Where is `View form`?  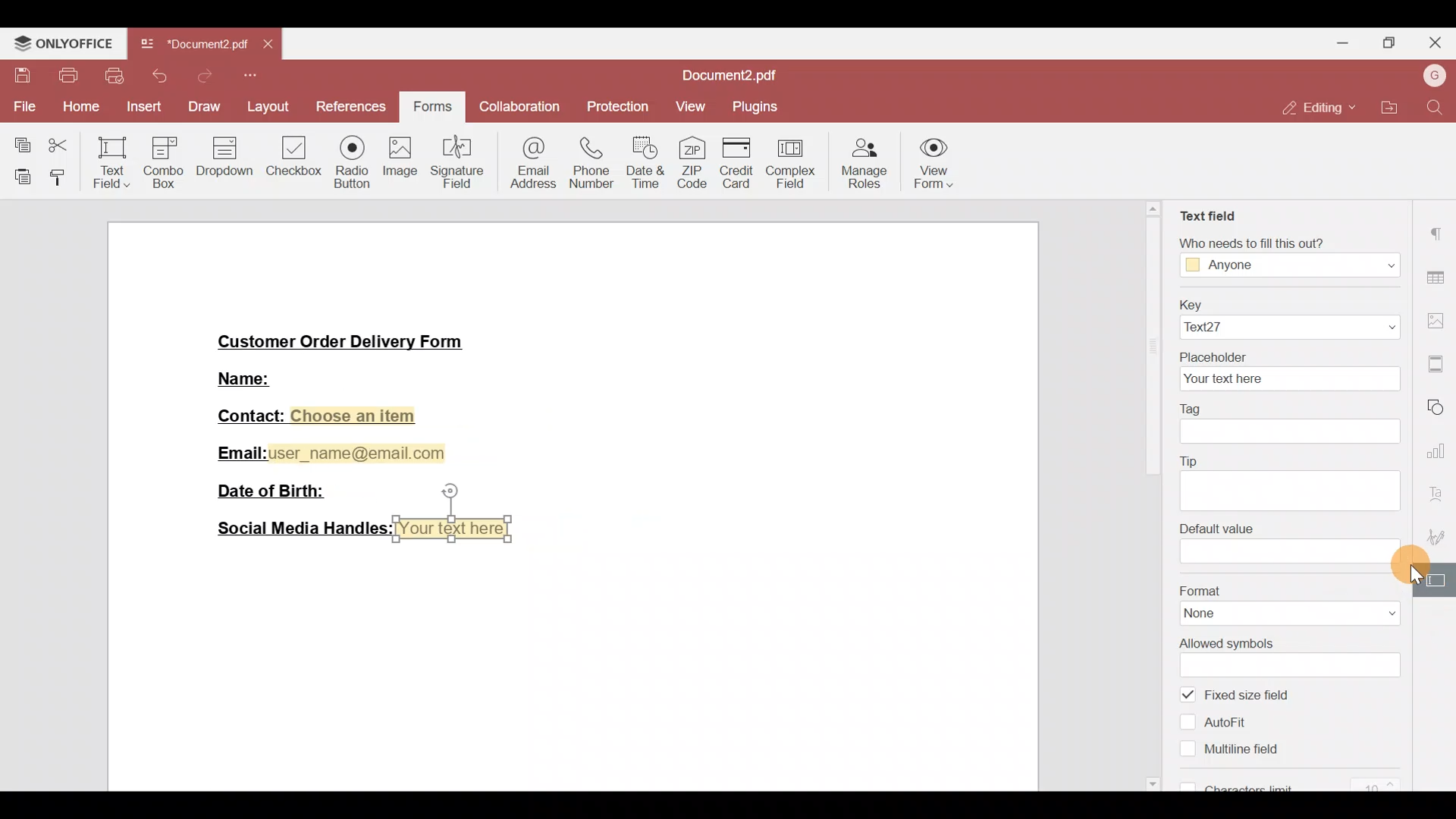 View form is located at coordinates (941, 161).